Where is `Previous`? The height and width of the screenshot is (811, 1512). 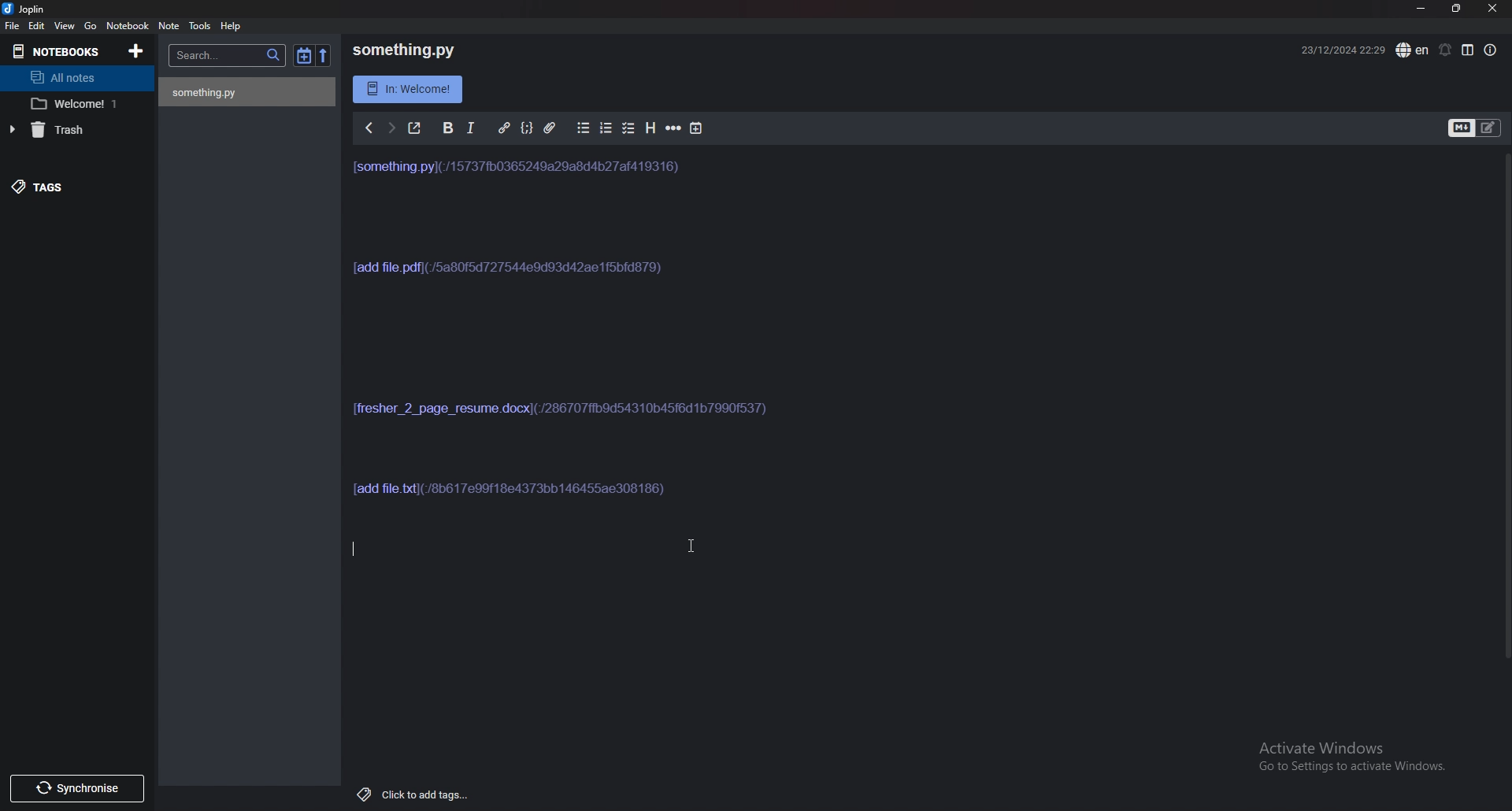 Previous is located at coordinates (370, 128).